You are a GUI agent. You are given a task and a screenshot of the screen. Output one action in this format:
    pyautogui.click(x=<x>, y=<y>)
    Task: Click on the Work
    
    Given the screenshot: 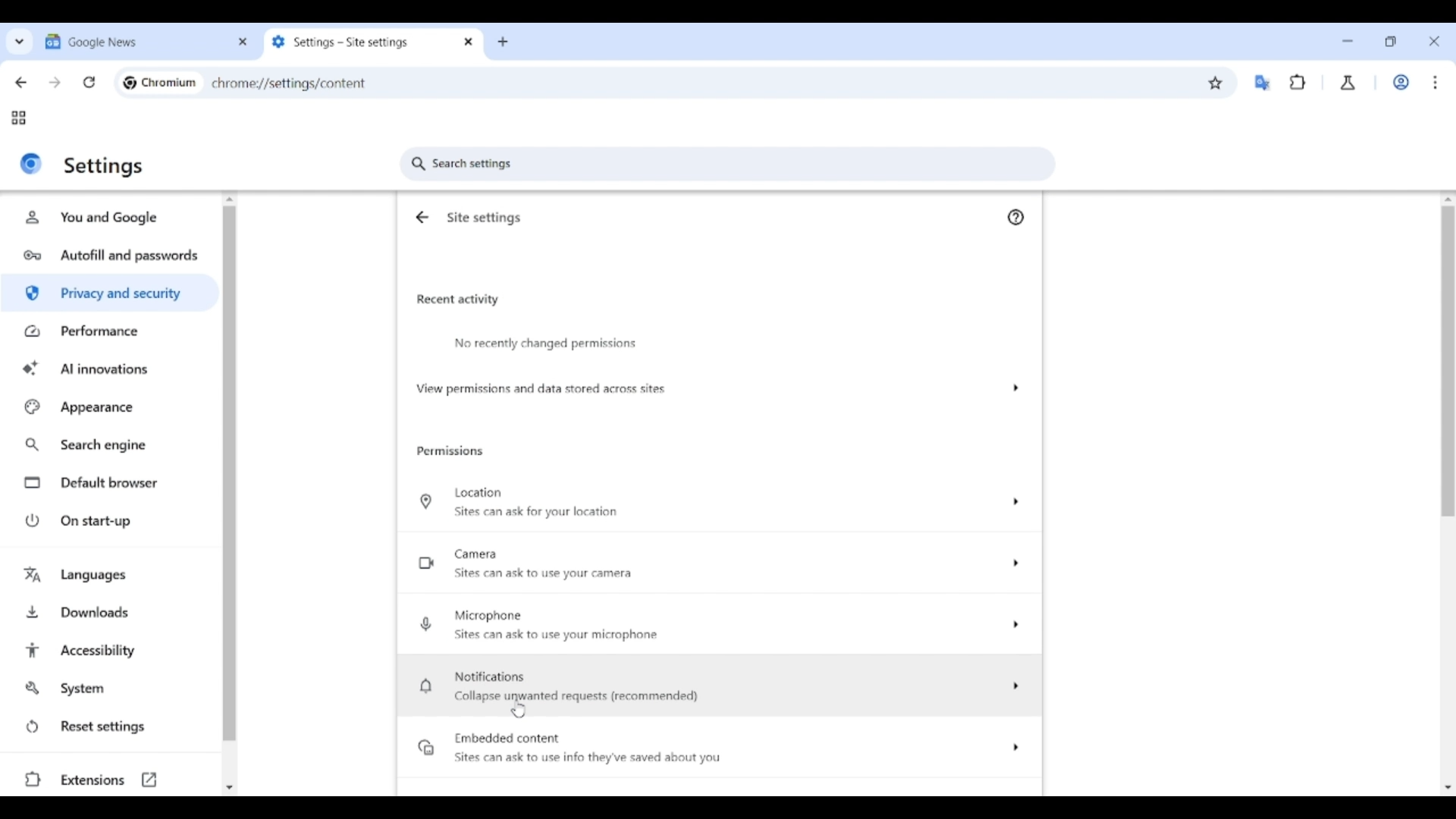 What is the action you would take?
    pyautogui.click(x=1401, y=82)
    